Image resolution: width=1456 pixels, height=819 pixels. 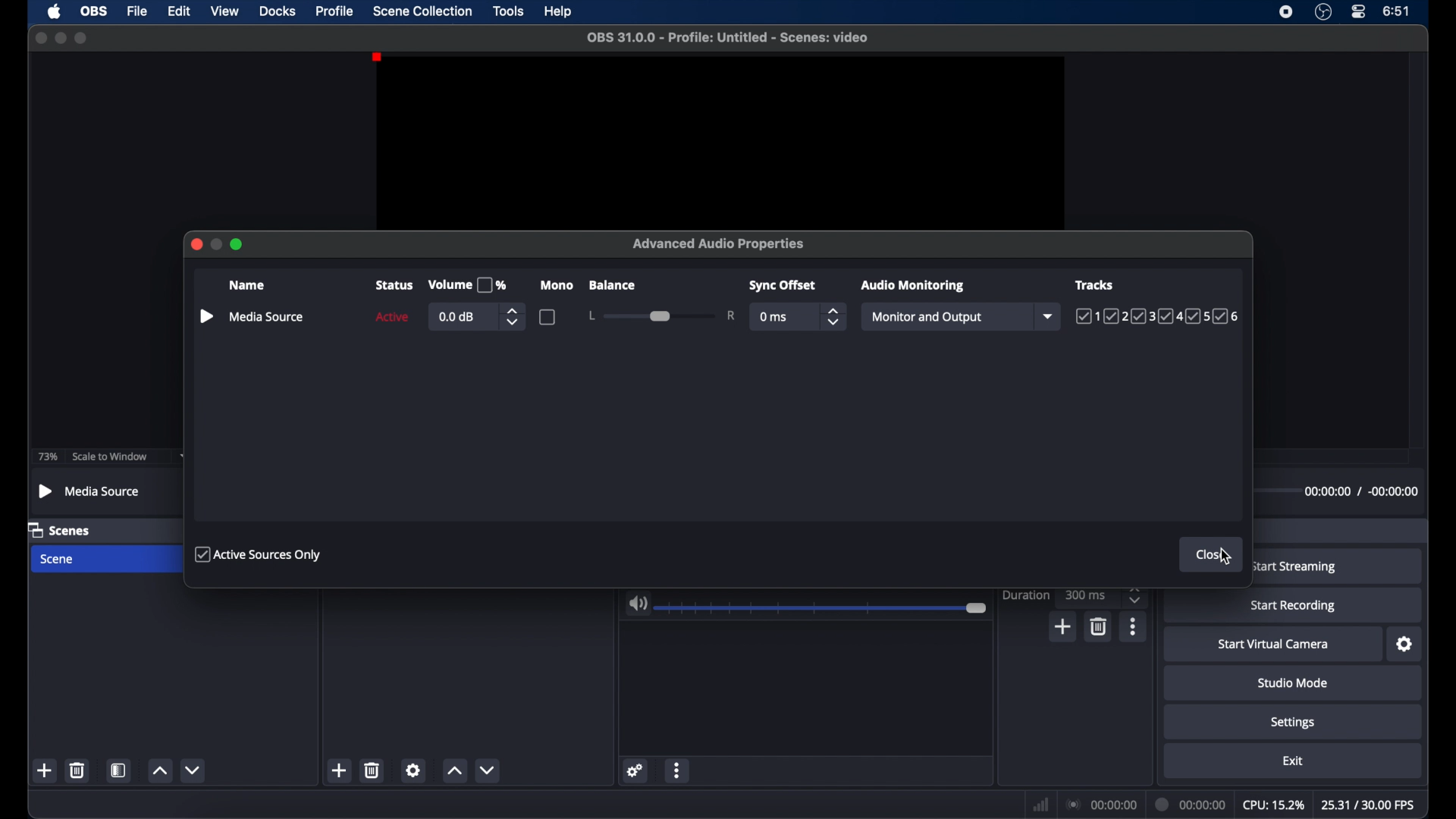 I want to click on media source, so click(x=267, y=317).